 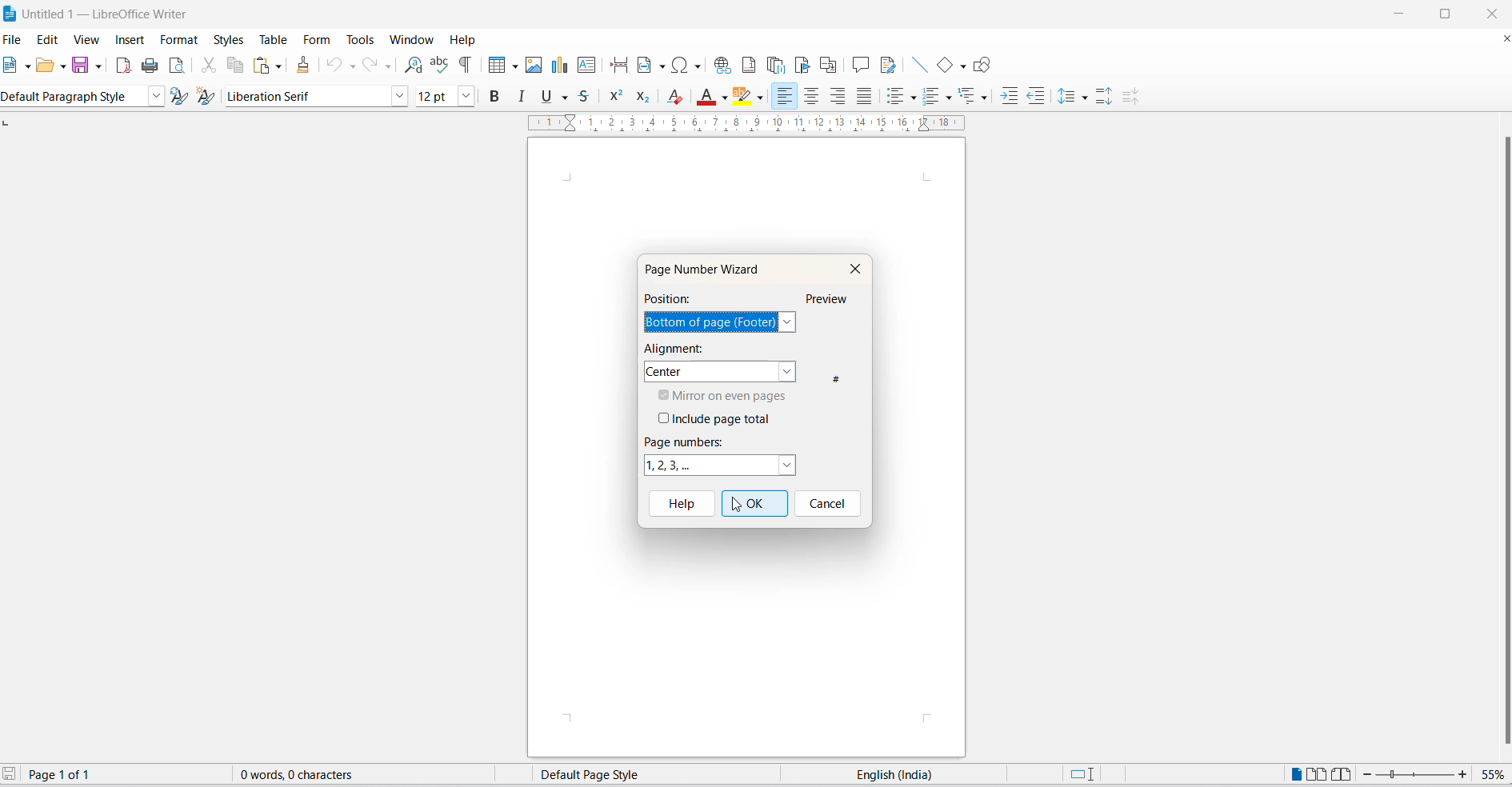 I want to click on form, so click(x=317, y=40).